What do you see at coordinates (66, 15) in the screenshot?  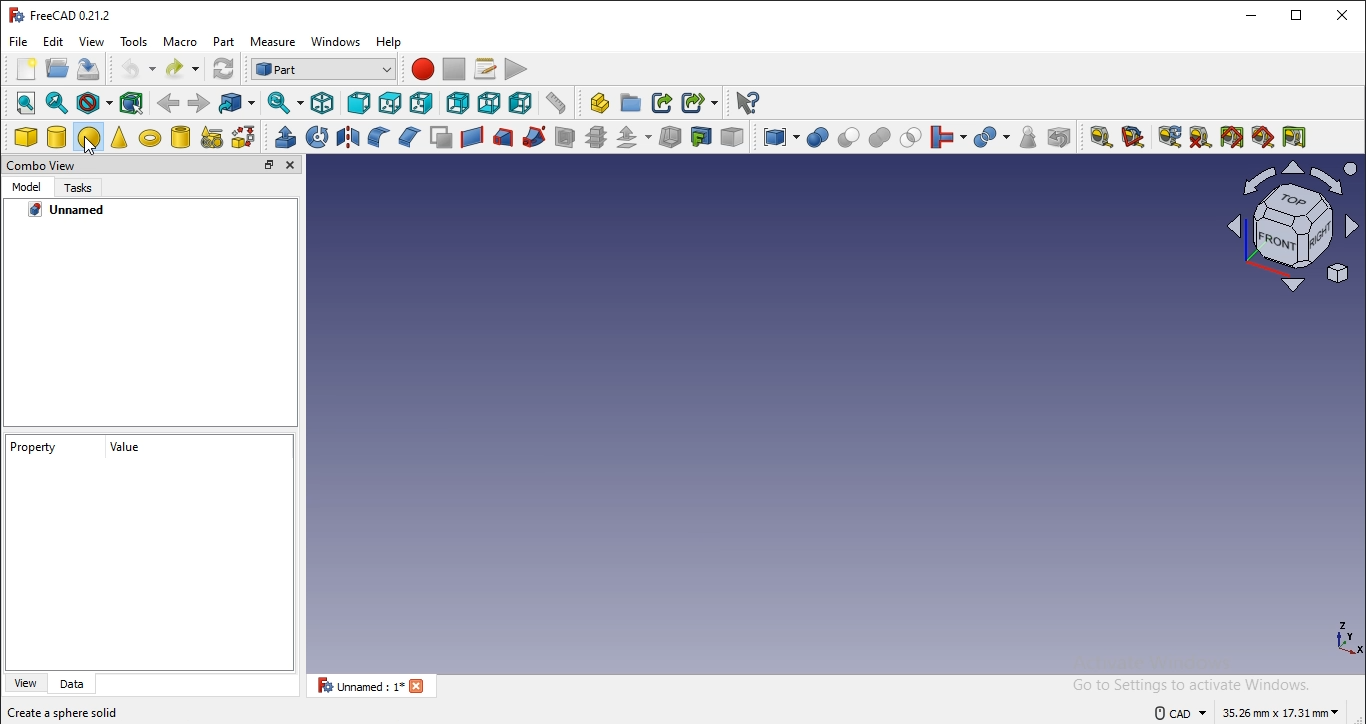 I see `freecad 0.21.2` at bounding box center [66, 15].